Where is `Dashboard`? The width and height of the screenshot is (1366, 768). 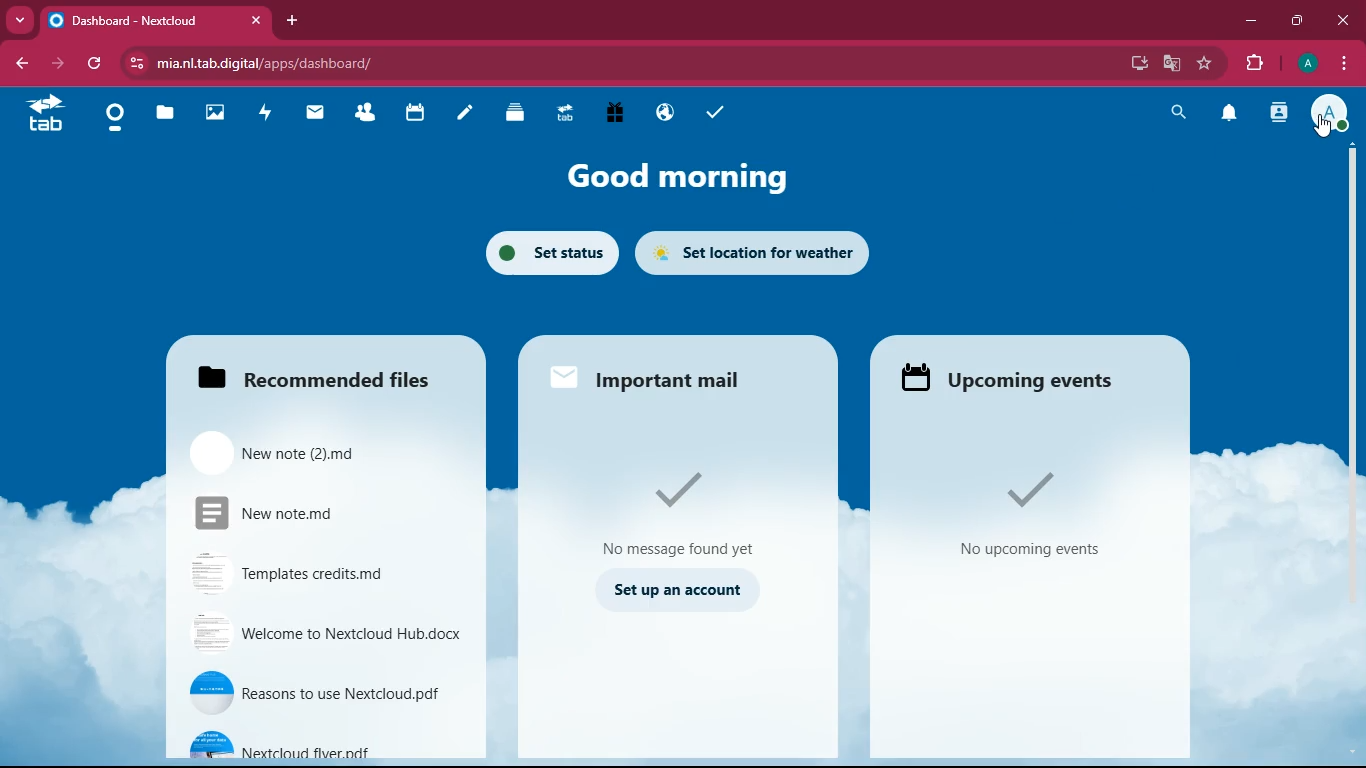 Dashboard is located at coordinates (127, 22).